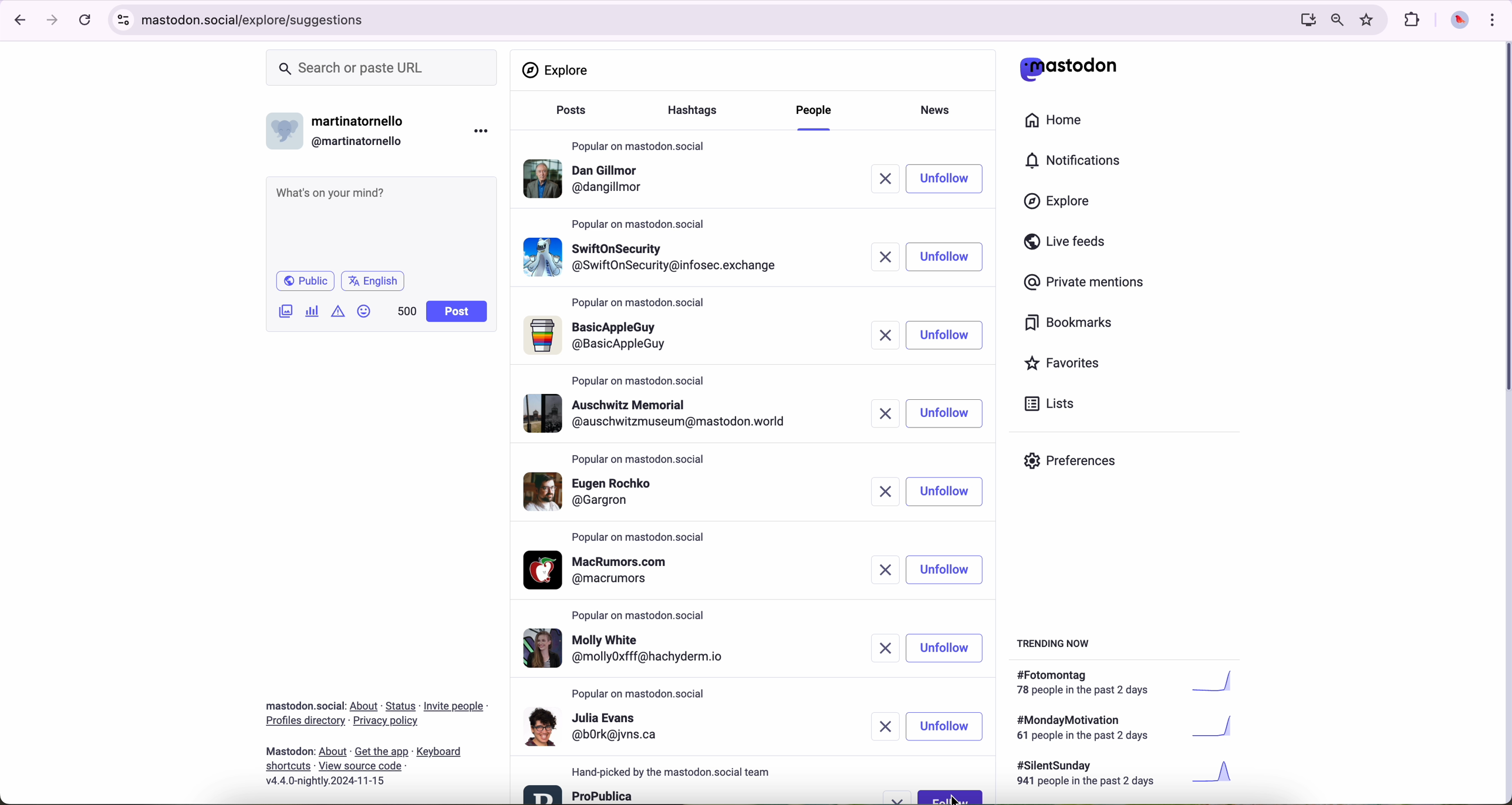 The height and width of the screenshot is (805, 1512). What do you see at coordinates (53, 21) in the screenshot?
I see `navigate foward` at bounding box center [53, 21].